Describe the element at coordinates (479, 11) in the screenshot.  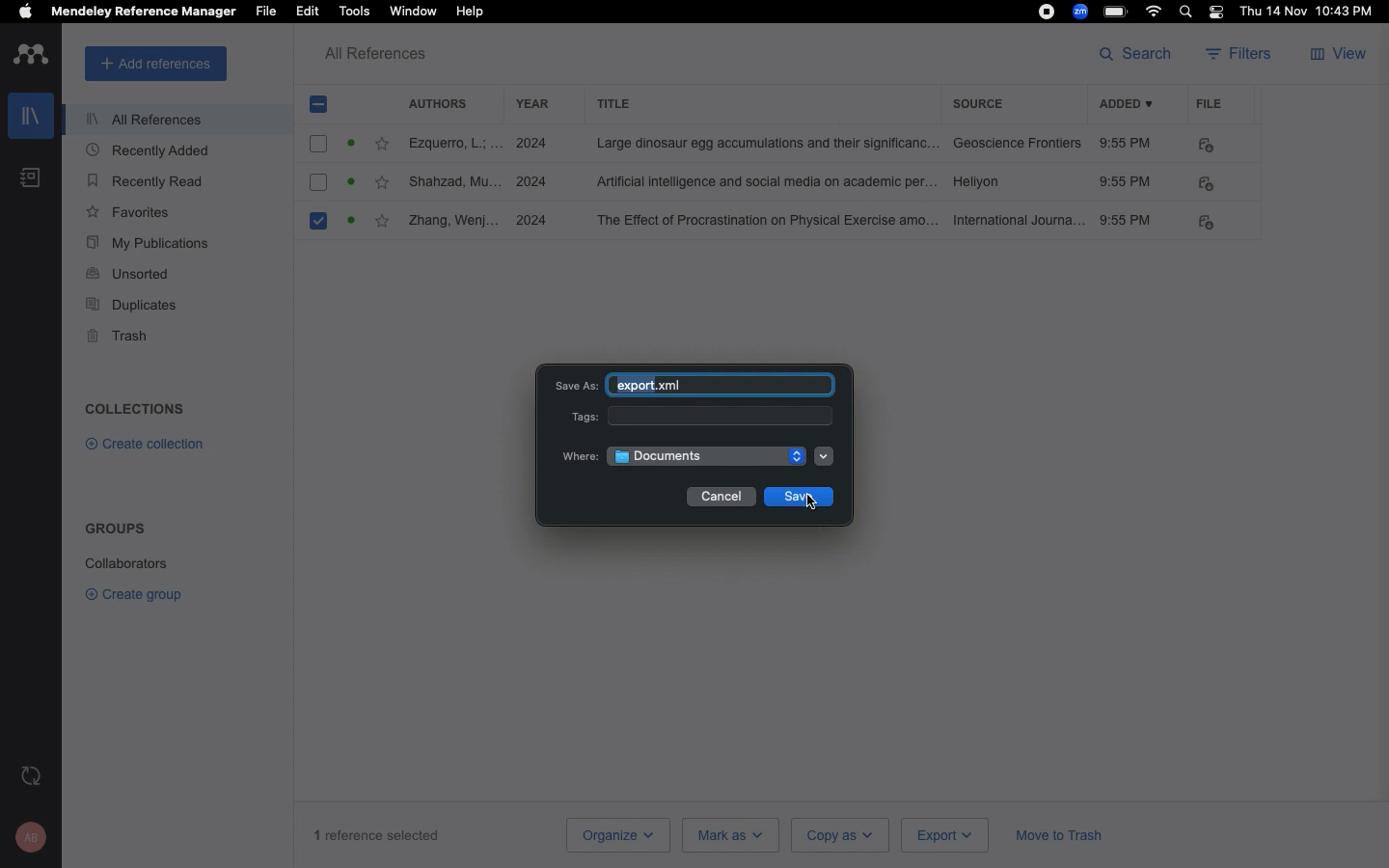
I see `Help` at that location.